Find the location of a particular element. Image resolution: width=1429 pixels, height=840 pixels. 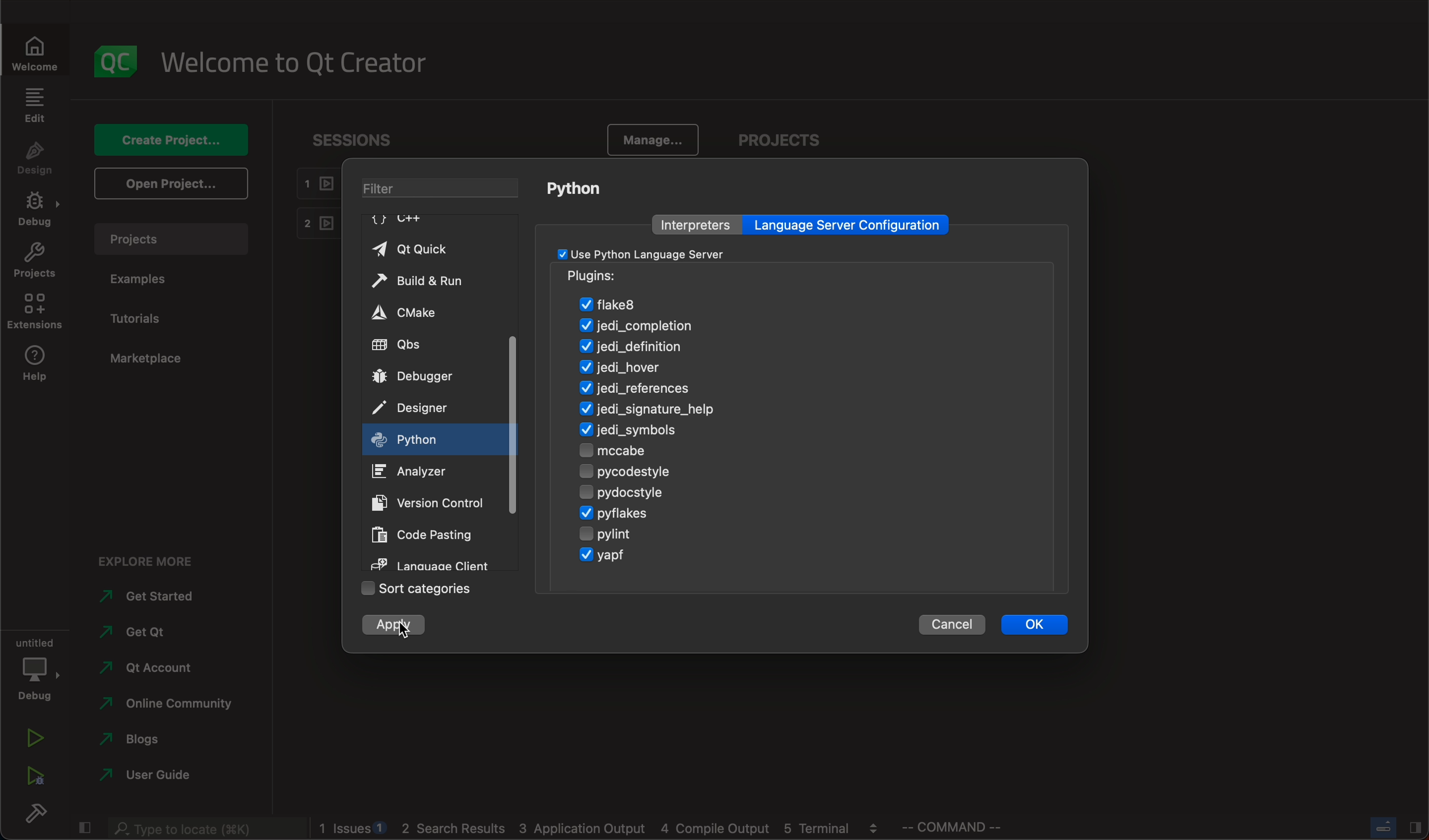

pydocstyle is located at coordinates (625, 493).